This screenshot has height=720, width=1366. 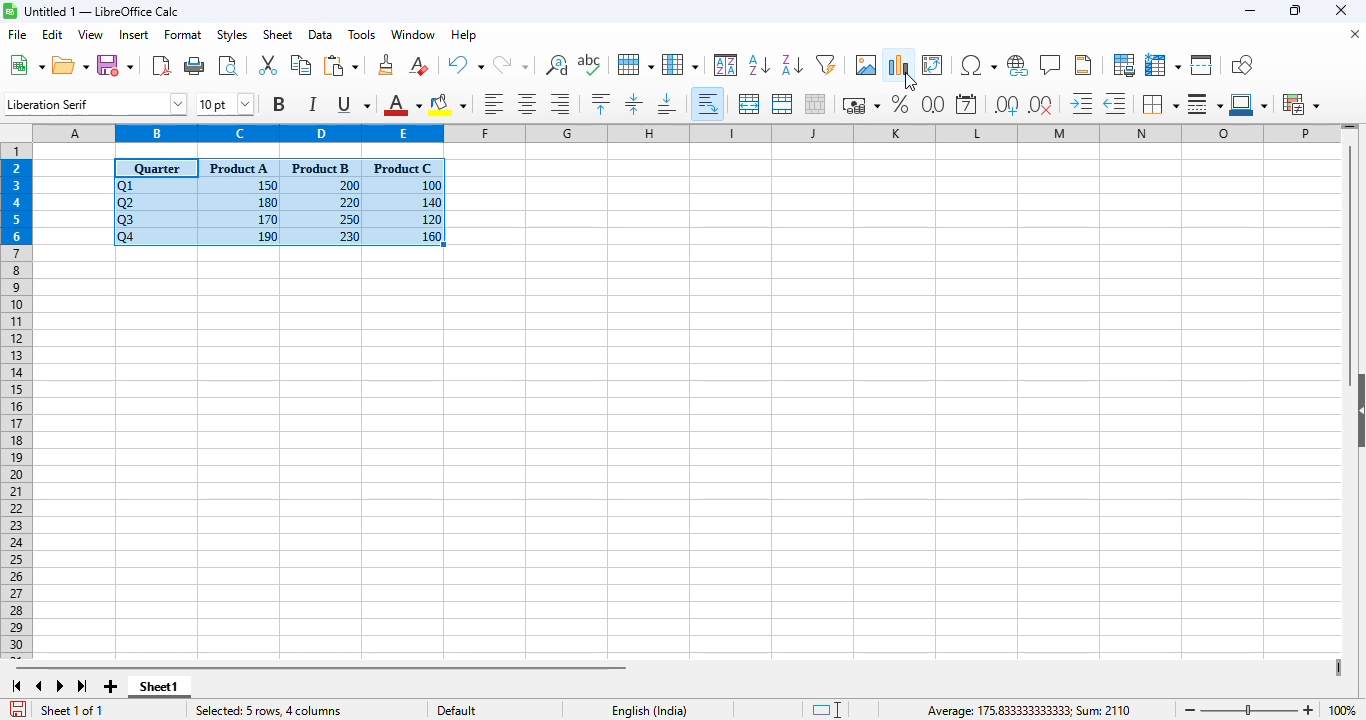 I want to click on text language, so click(x=650, y=709).